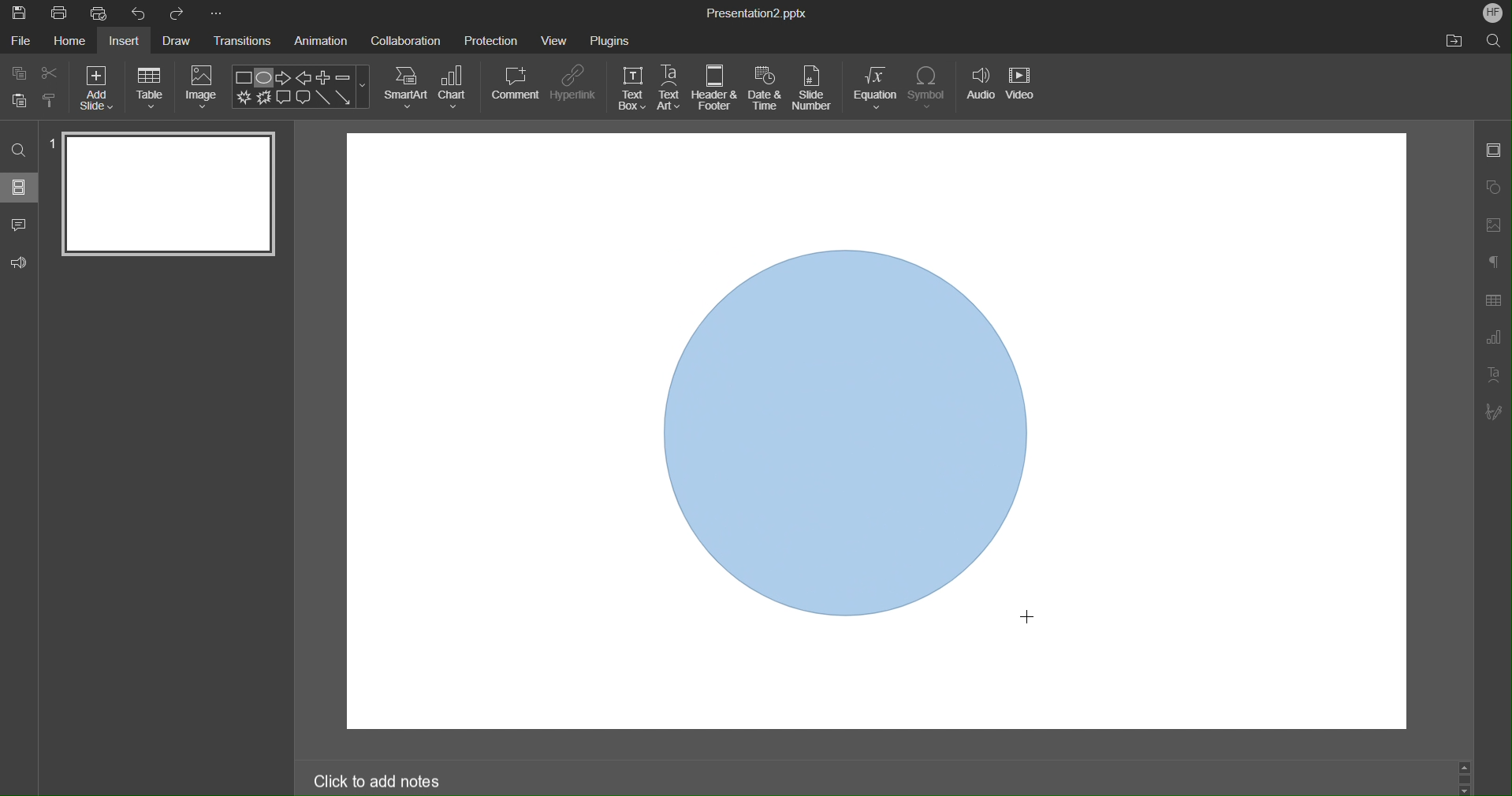 Image resolution: width=1512 pixels, height=796 pixels. What do you see at coordinates (498, 434) in the screenshot?
I see `workspace` at bounding box center [498, 434].